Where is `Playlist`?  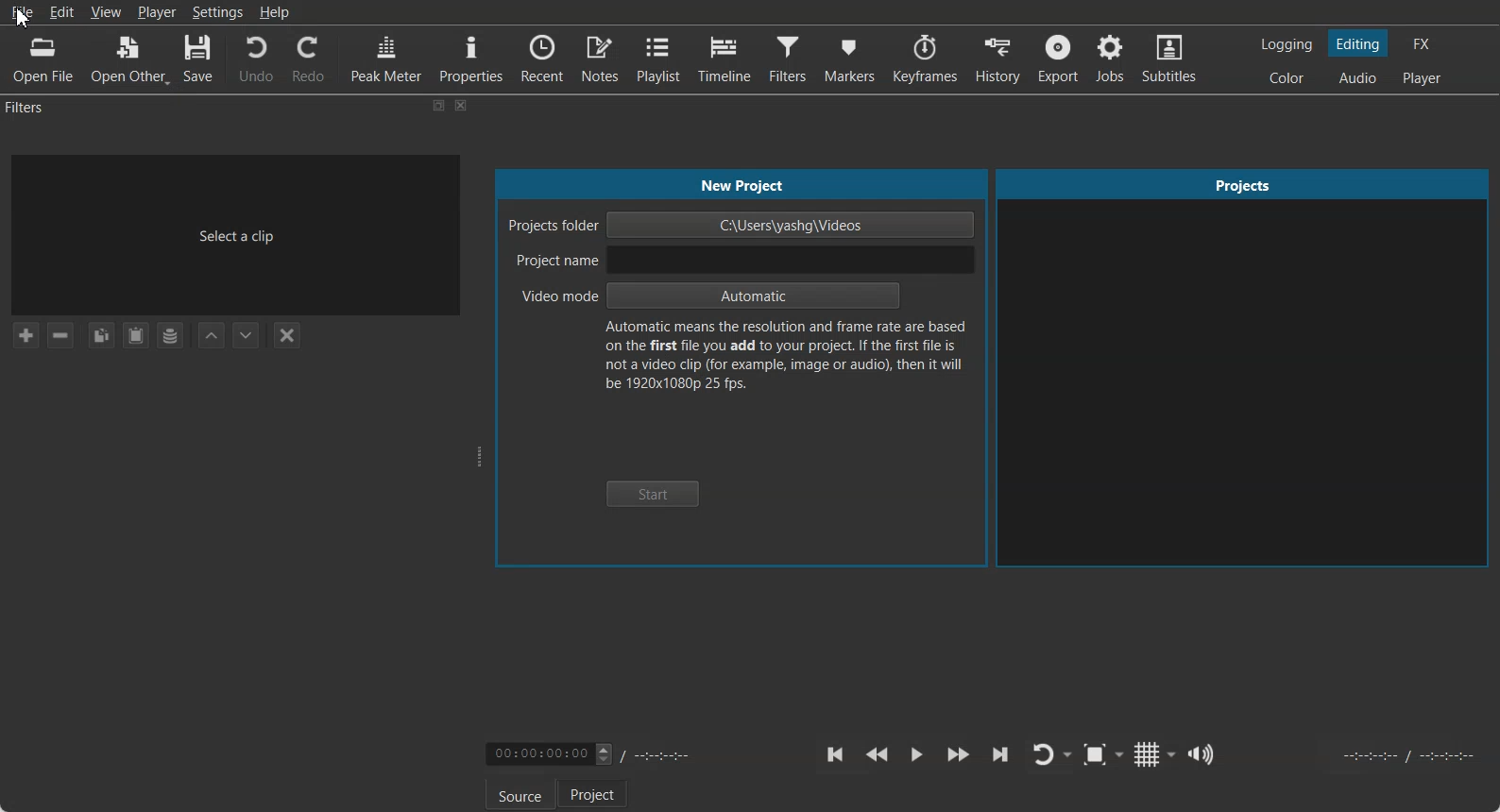 Playlist is located at coordinates (661, 58).